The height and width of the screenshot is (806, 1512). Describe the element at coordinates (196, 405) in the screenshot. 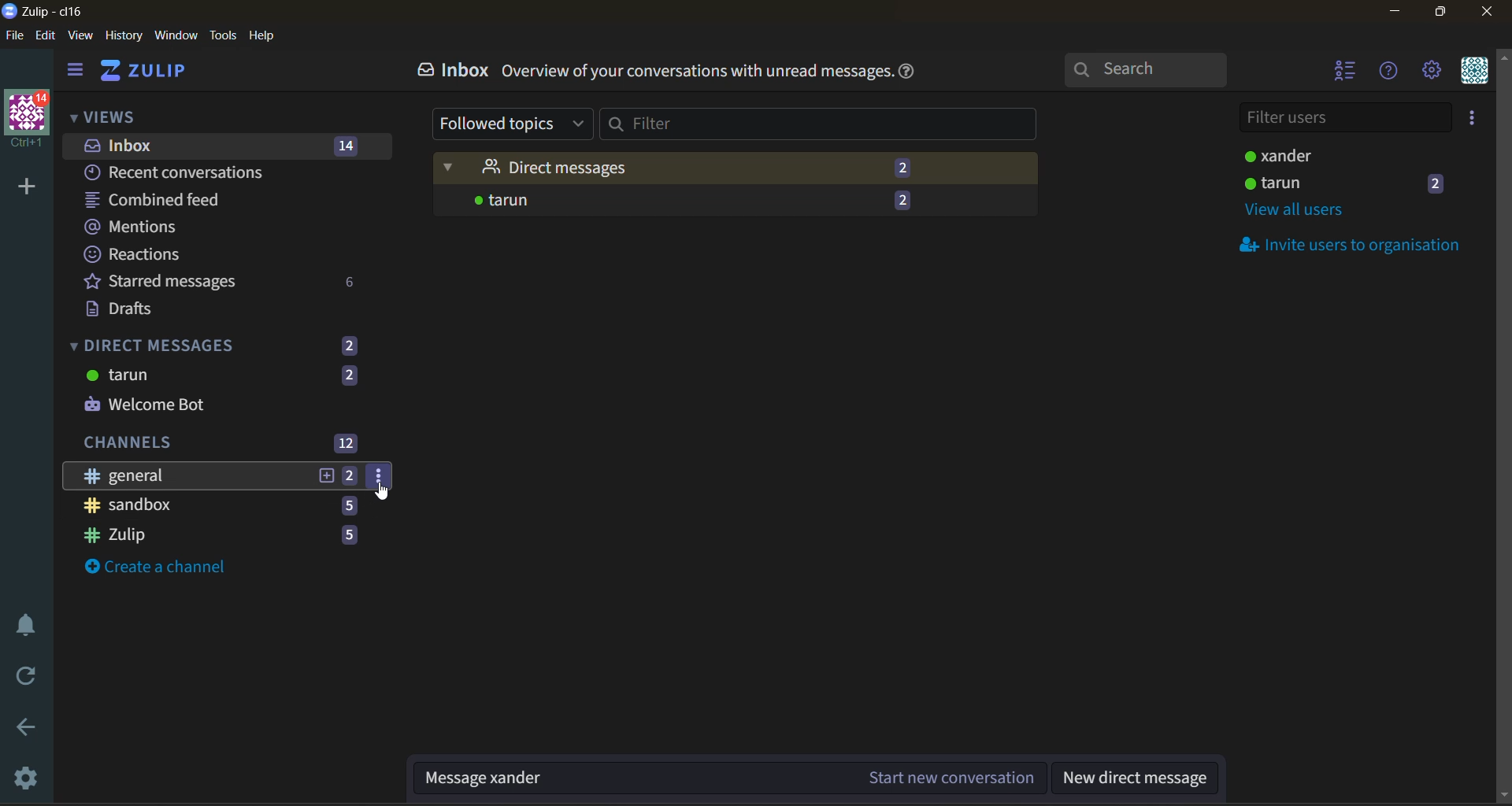

I see `welcome bot` at that location.